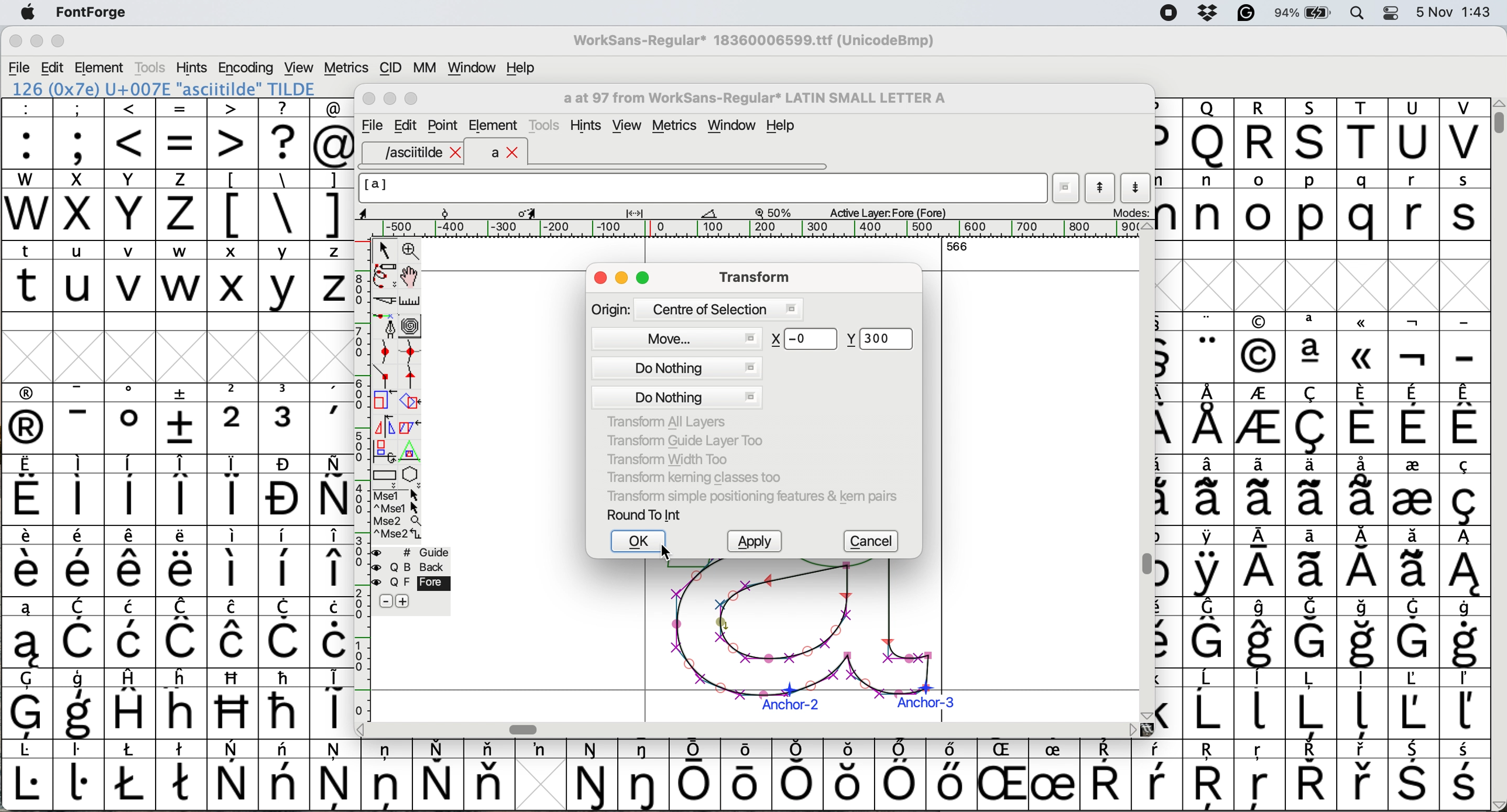 The image size is (1507, 812). Describe the element at coordinates (20, 68) in the screenshot. I see `file` at that location.